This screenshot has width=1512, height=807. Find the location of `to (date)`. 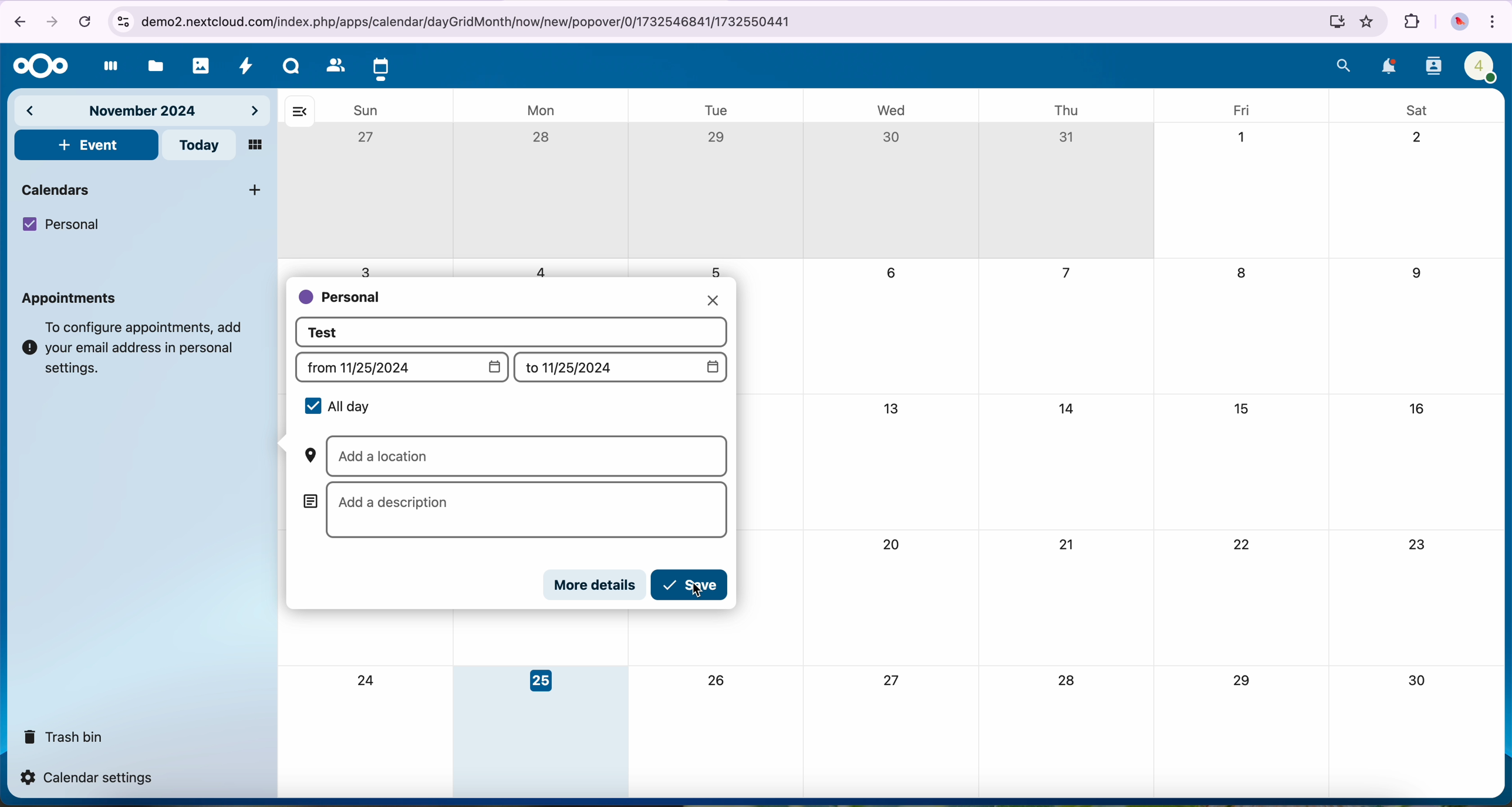

to (date) is located at coordinates (623, 368).